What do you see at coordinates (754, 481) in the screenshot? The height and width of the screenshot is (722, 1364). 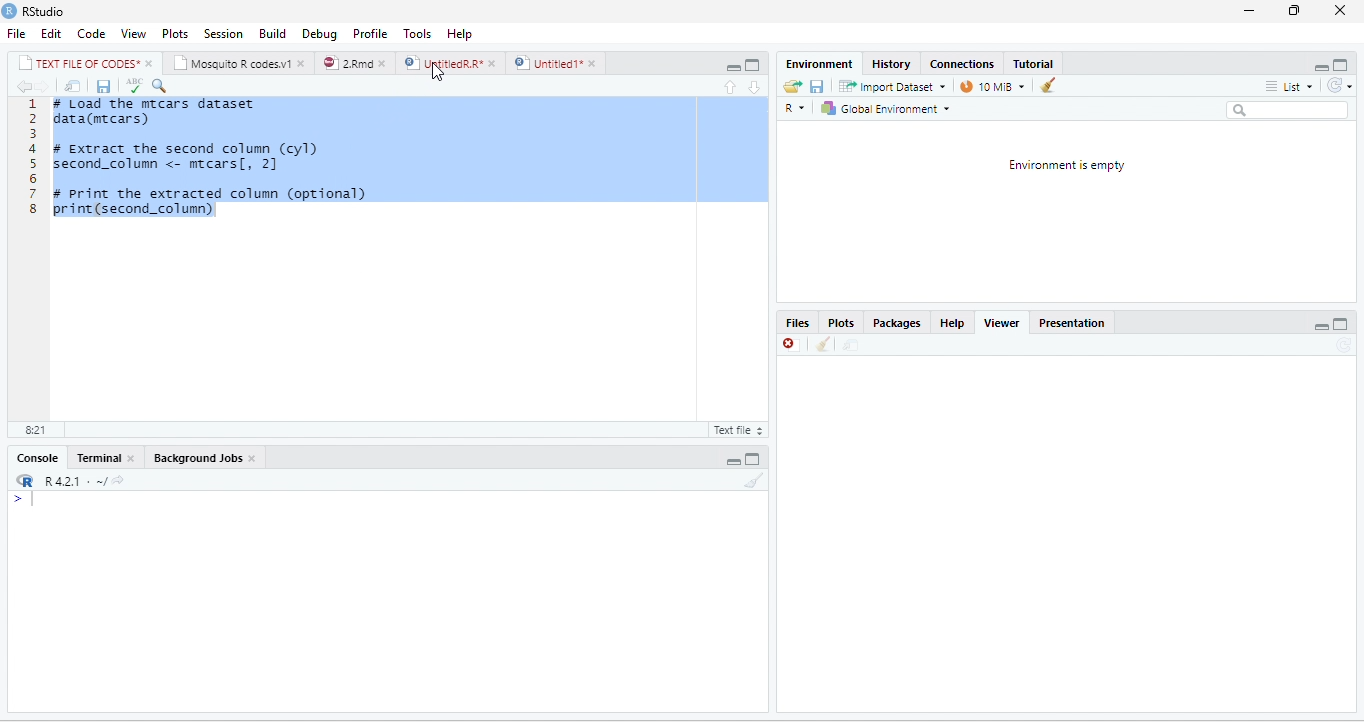 I see `clear` at bounding box center [754, 481].